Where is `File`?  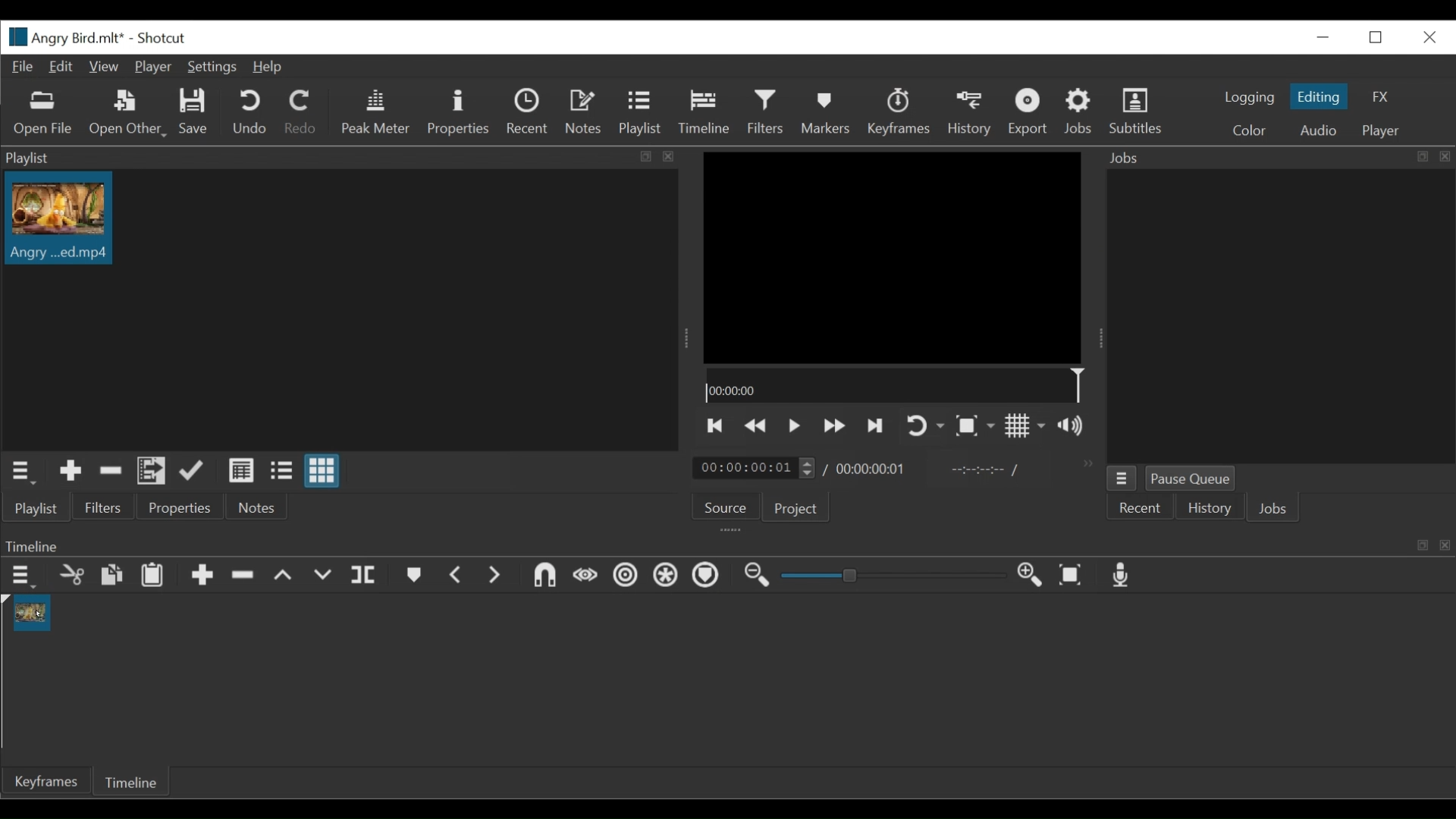 File is located at coordinates (22, 69).